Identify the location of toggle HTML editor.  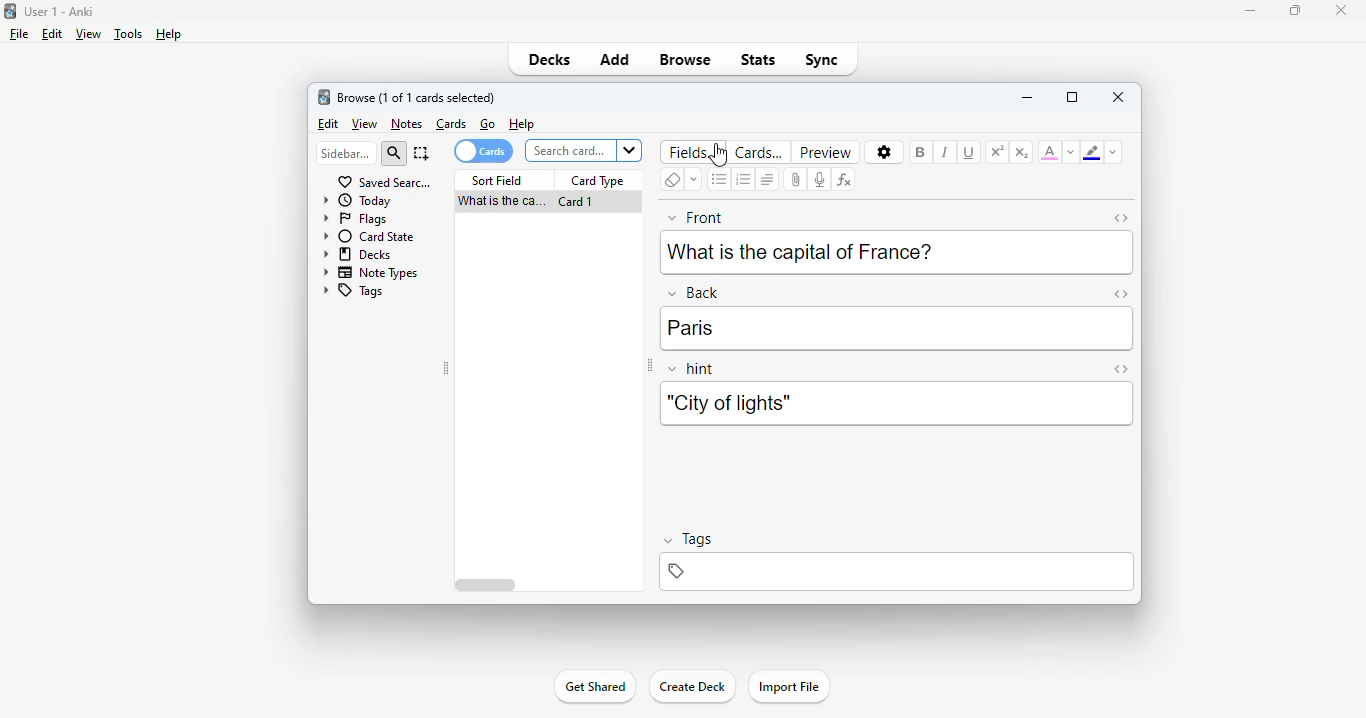
(1121, 293).